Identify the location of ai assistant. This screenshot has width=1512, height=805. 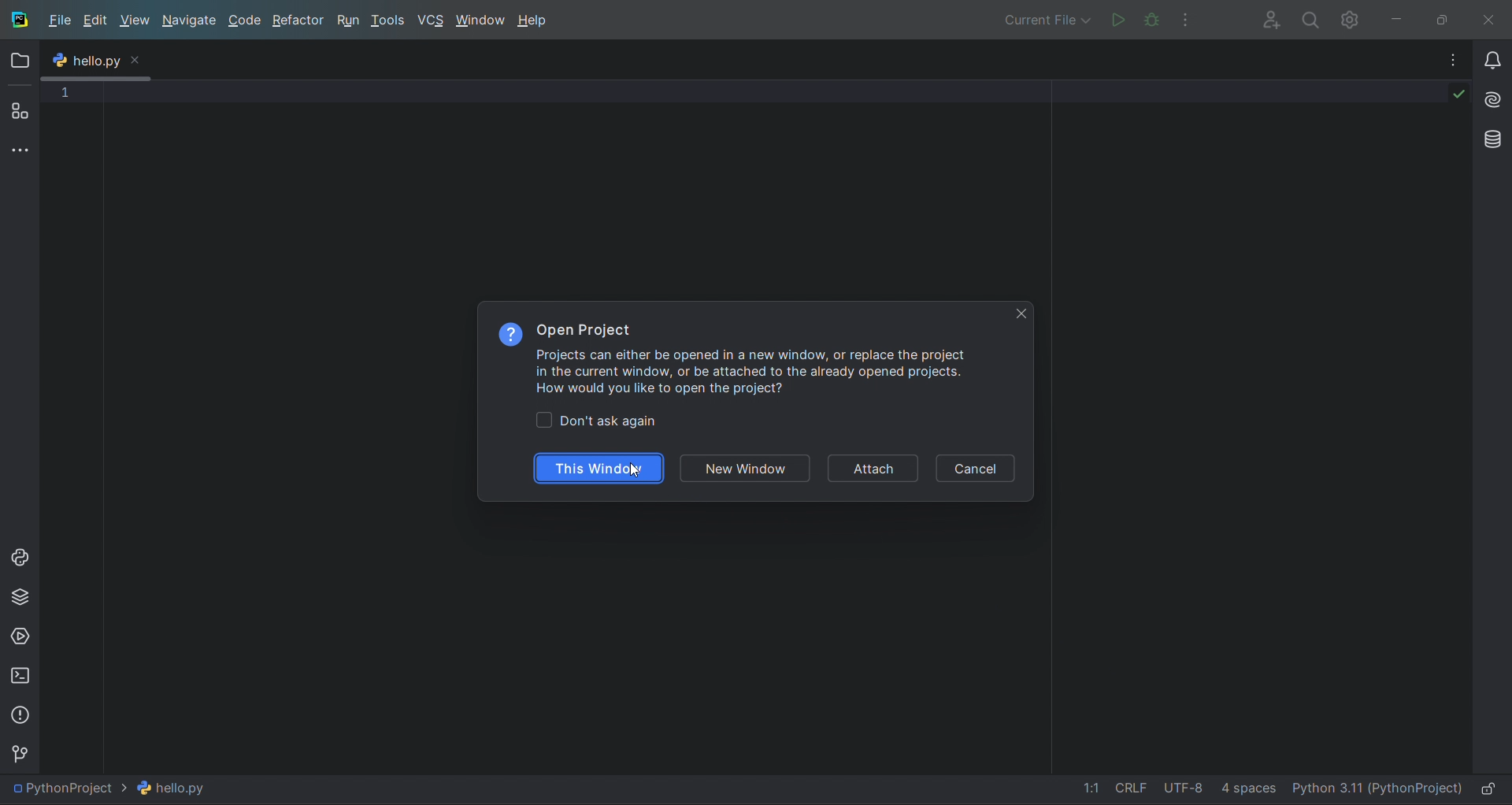
(1490, 95).